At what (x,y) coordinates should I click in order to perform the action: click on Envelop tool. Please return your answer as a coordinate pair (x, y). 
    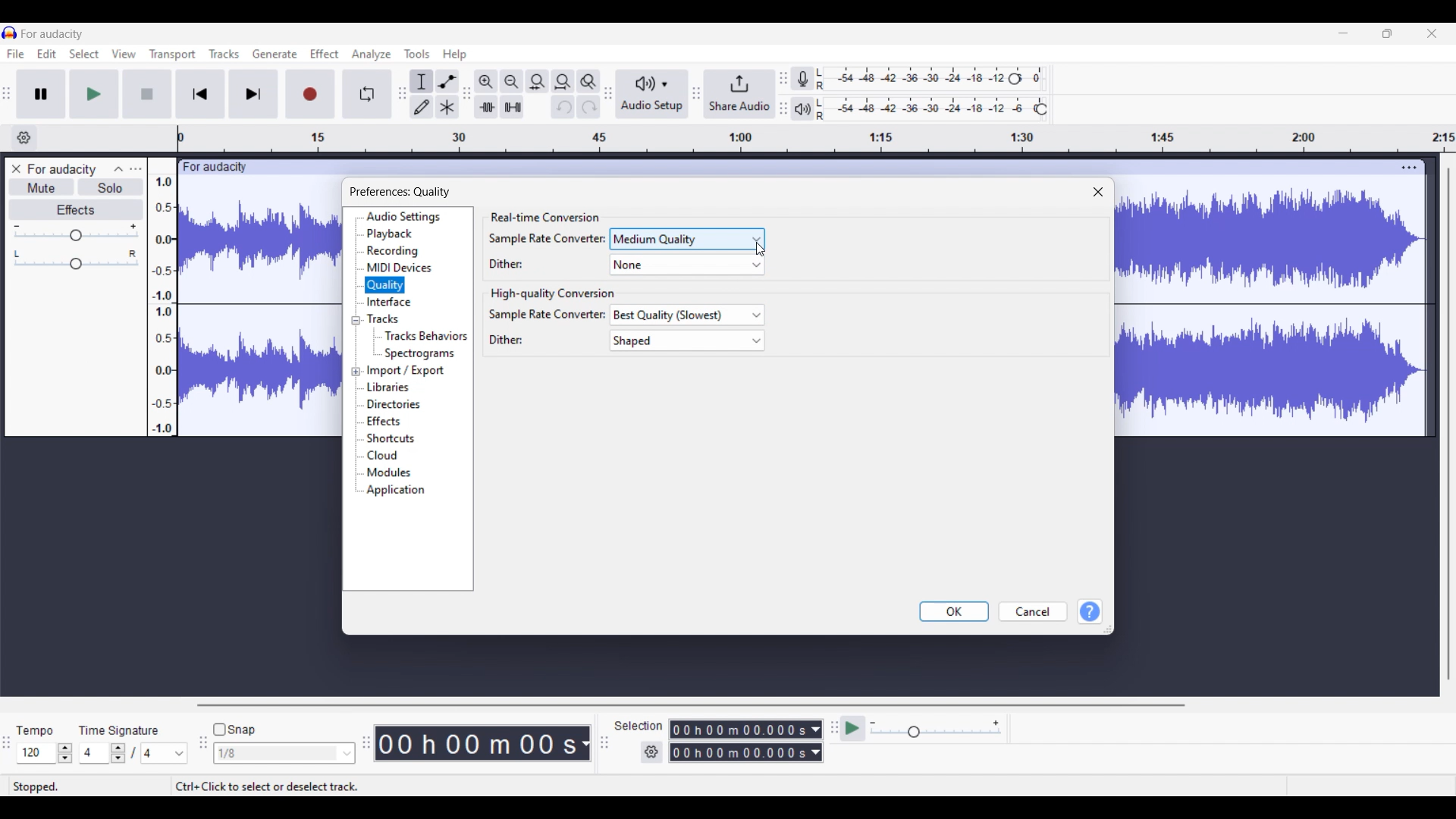
    Looking at the image, I should click on (448, 81).